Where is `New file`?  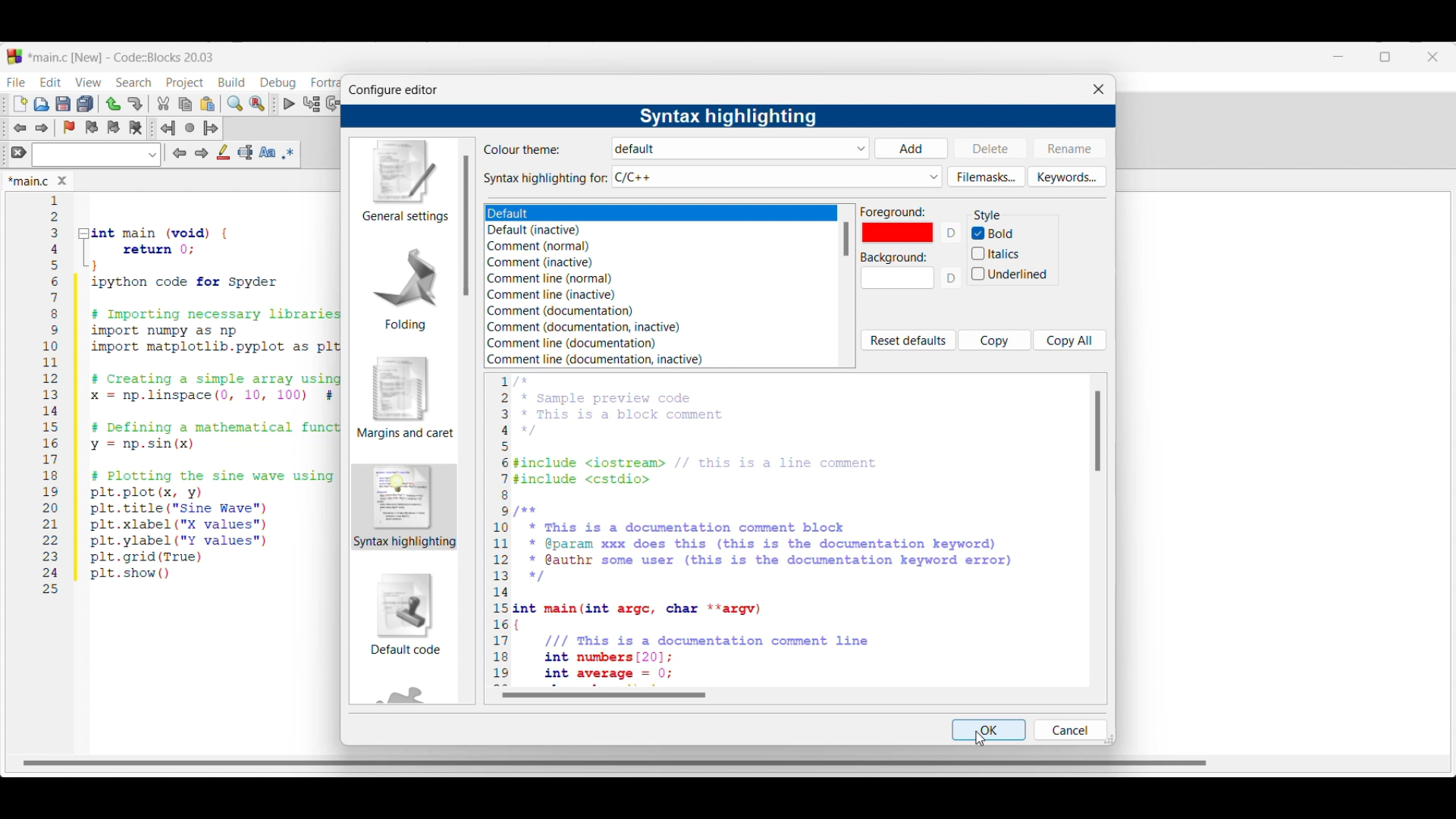 New file is located at coordinates (20, 104).